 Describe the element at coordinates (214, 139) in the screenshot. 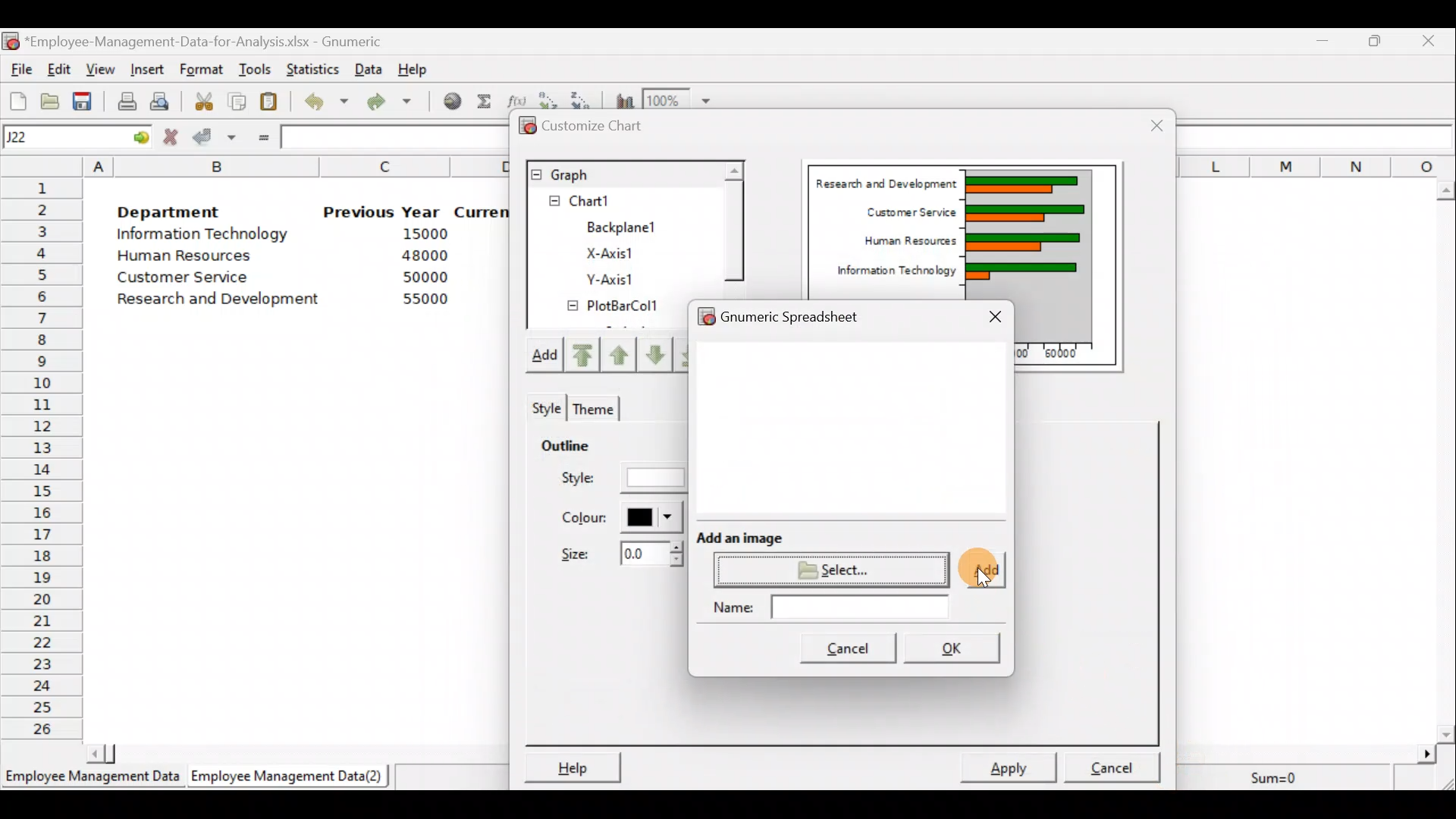

I see `Accept change` at that location.